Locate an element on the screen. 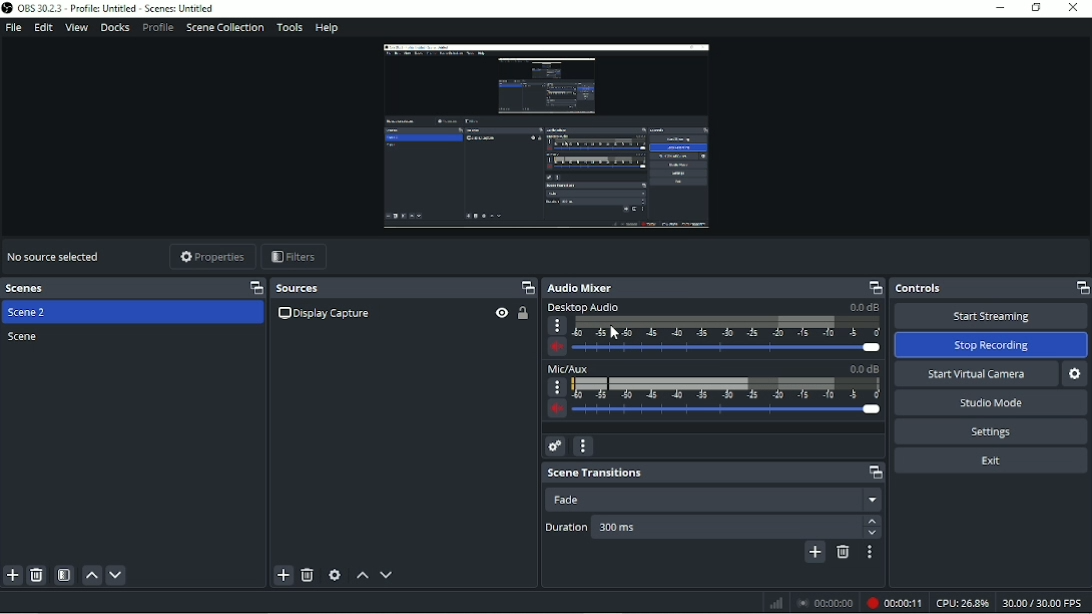 This screenshot has width=1092, height=614. Scenes is located at coordinates (133, 288).